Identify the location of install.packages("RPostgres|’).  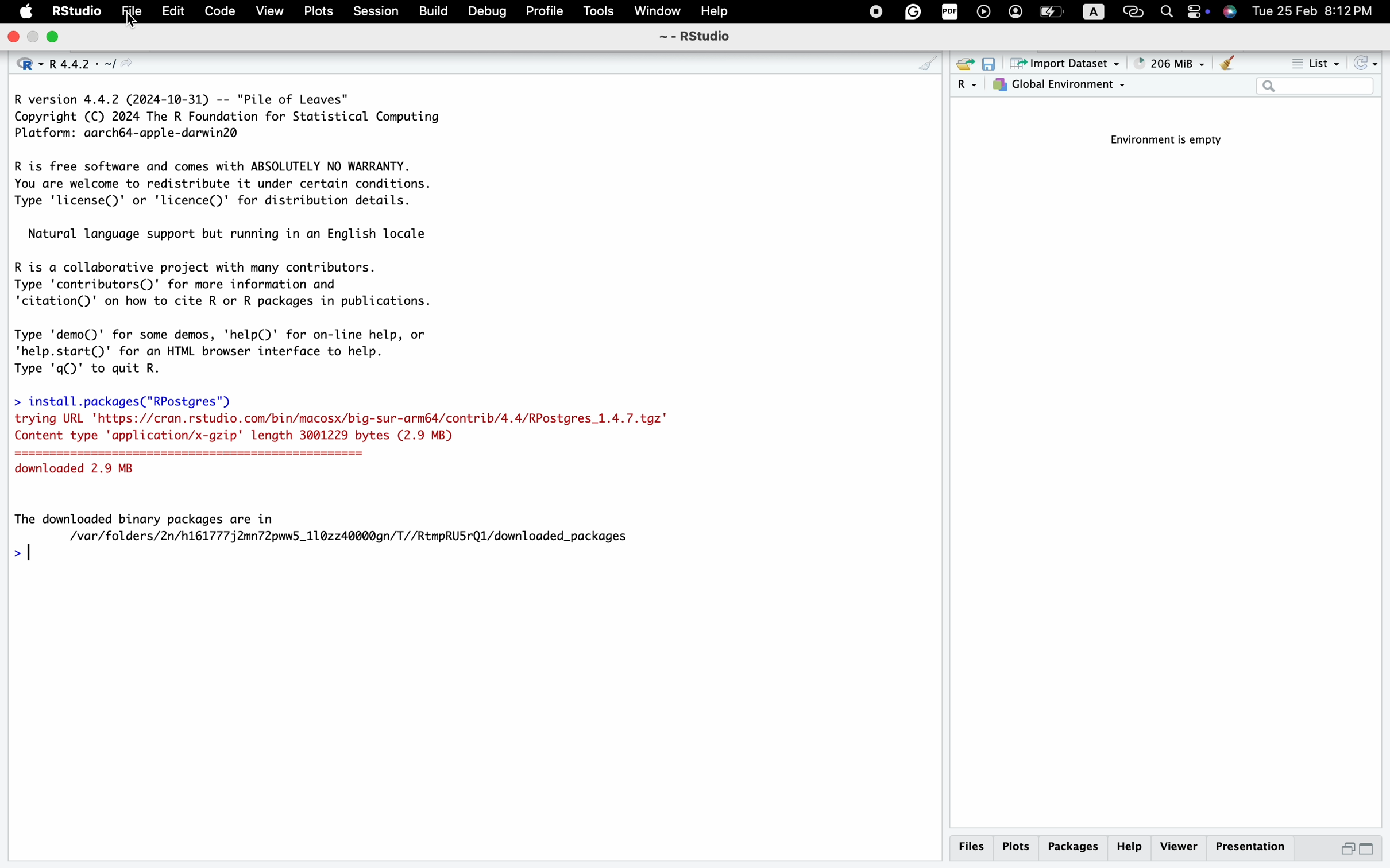
(126, 397).